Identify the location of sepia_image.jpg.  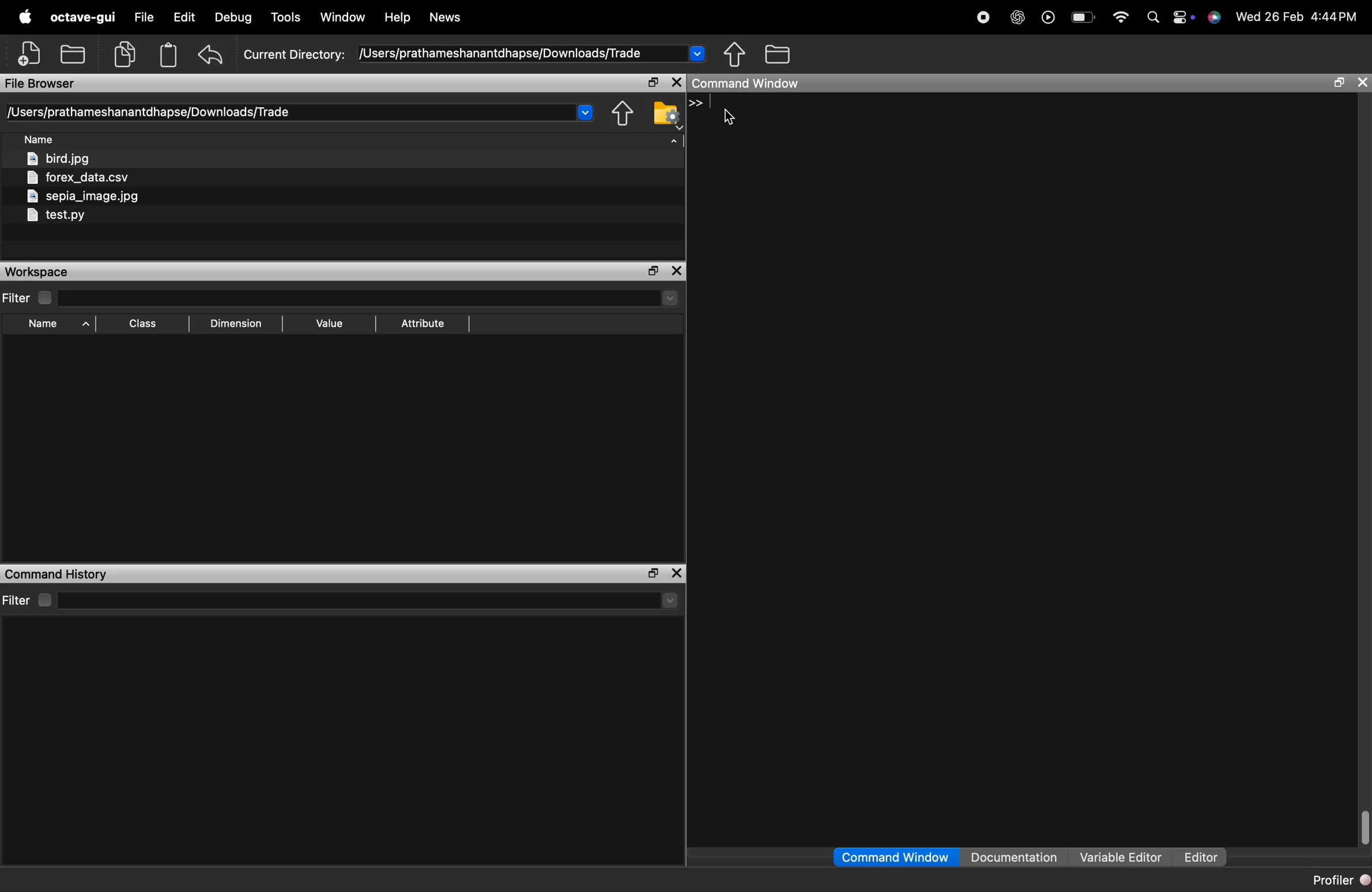
(84, 196).